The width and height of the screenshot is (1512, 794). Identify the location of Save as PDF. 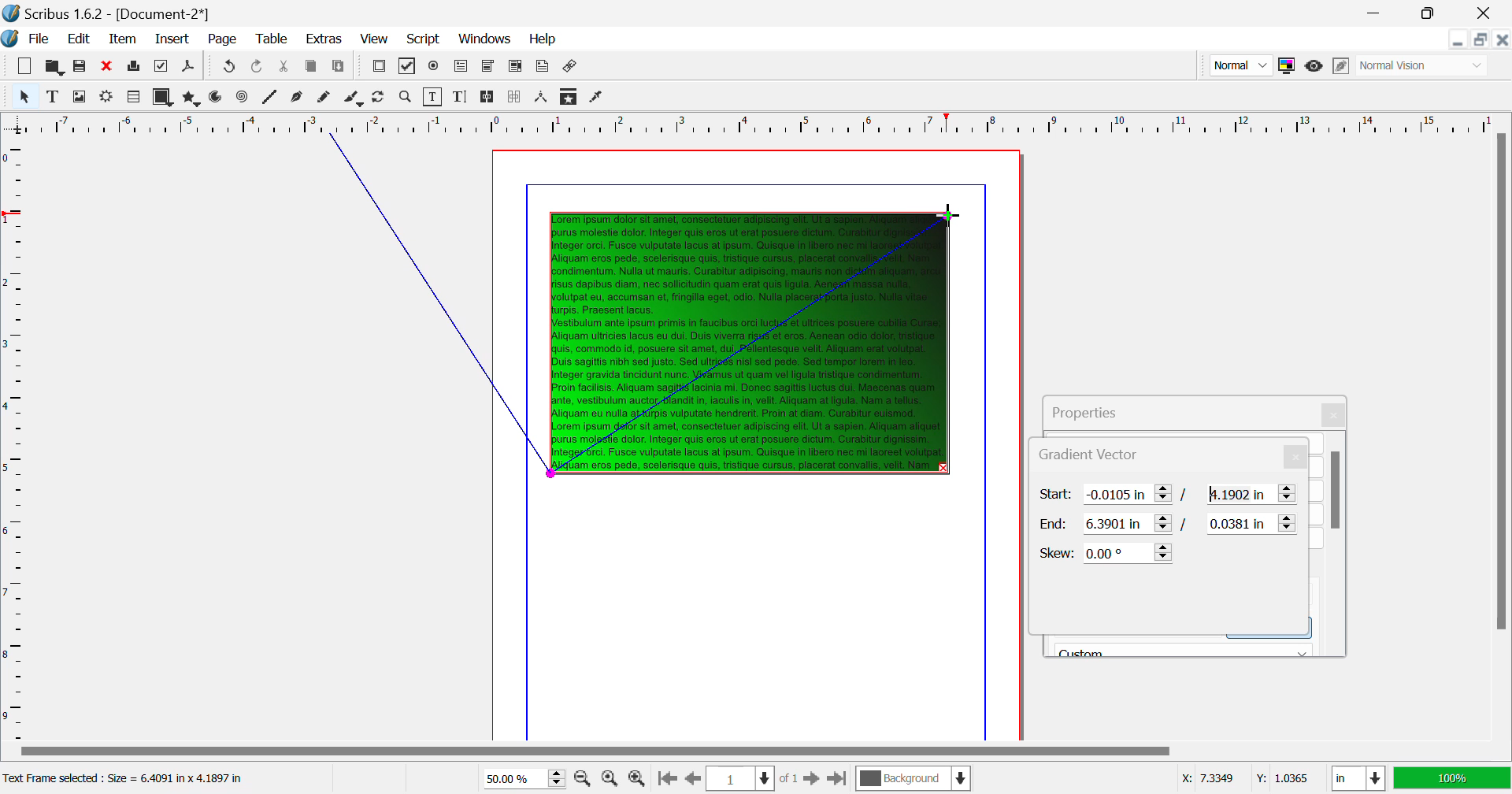
(189, 68).